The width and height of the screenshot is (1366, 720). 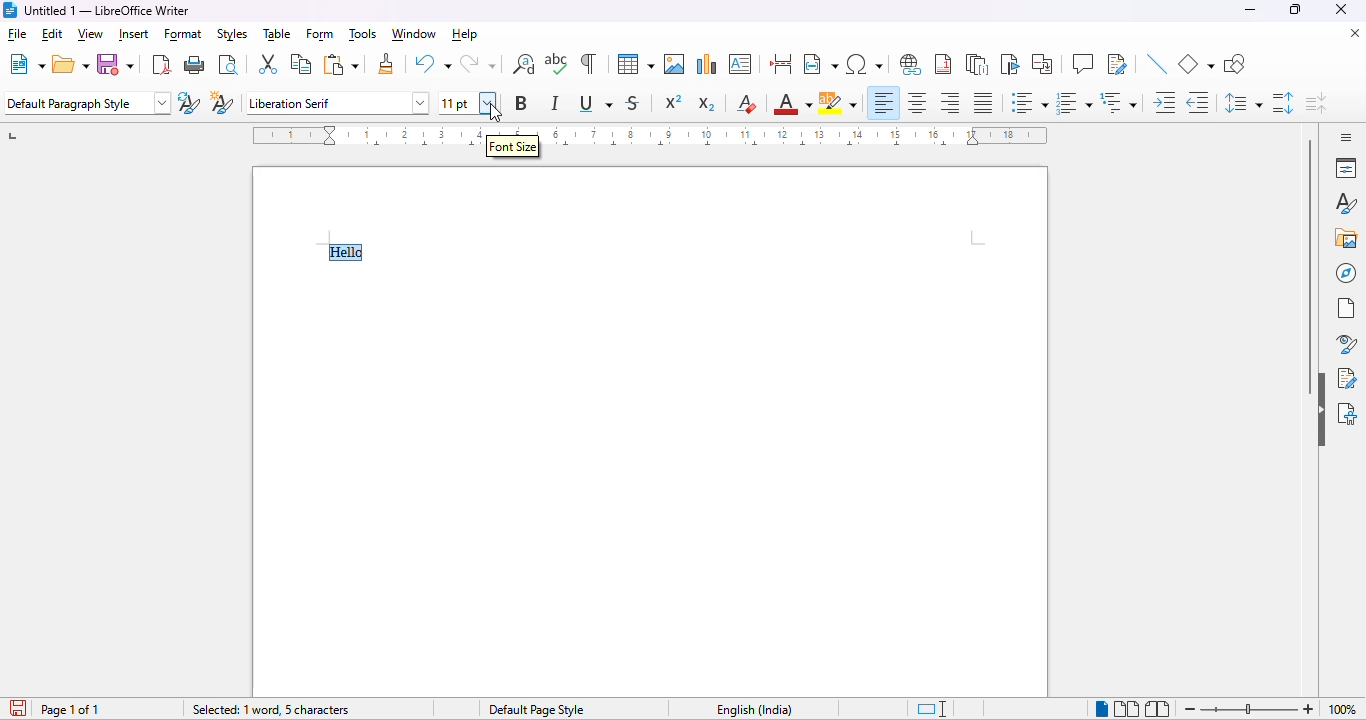 What do you see at coordinates (1012, 64) in the screenshot?
I see `insert bookmark` at bounding box center [1012, 64].